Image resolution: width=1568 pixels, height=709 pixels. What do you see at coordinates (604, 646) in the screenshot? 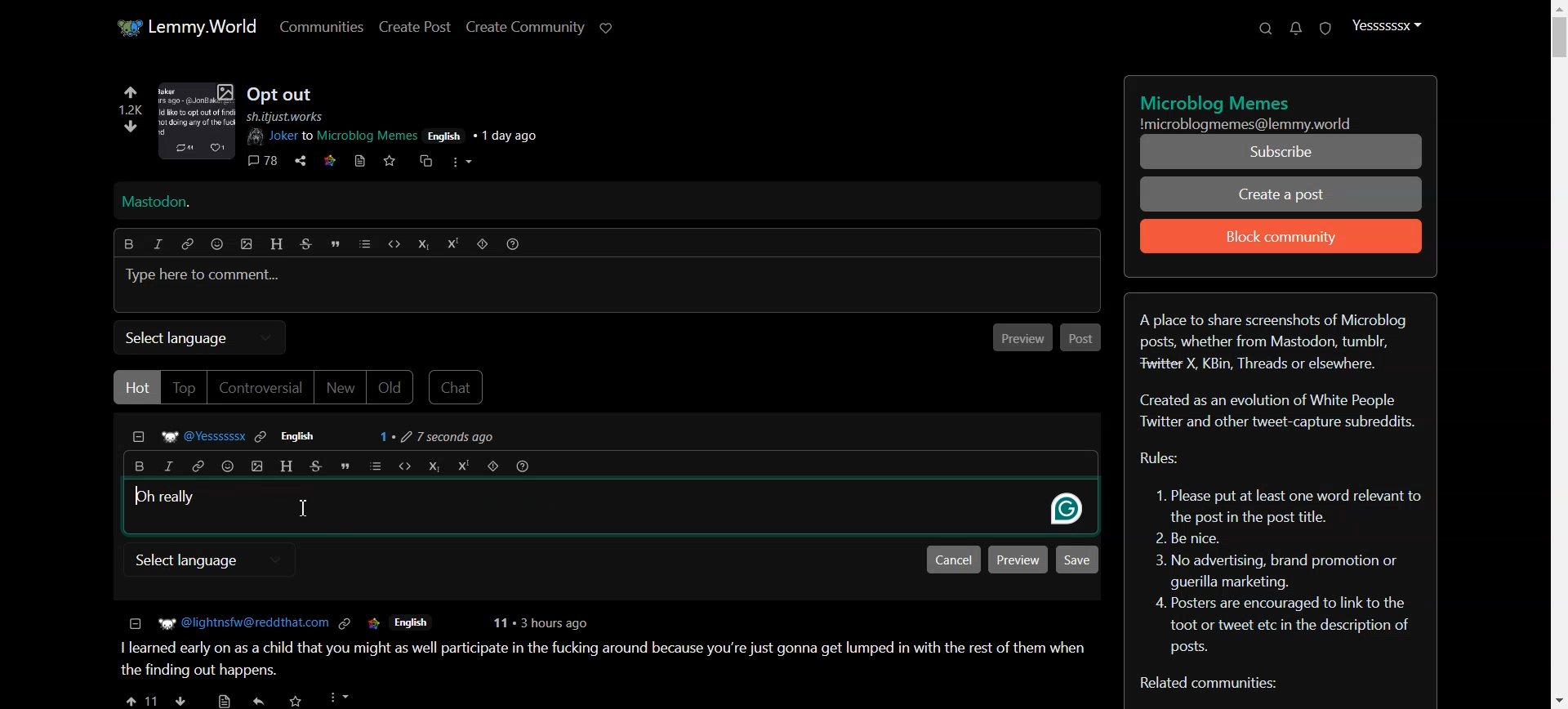
I see `posts` at bounding box center [604, 646].